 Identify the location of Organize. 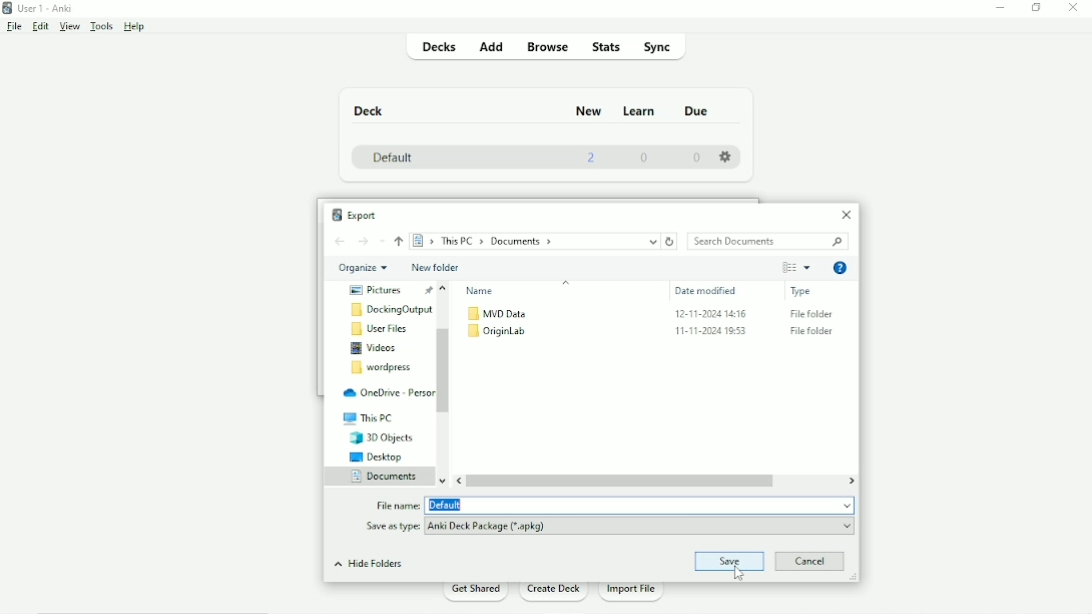
(364, 268).